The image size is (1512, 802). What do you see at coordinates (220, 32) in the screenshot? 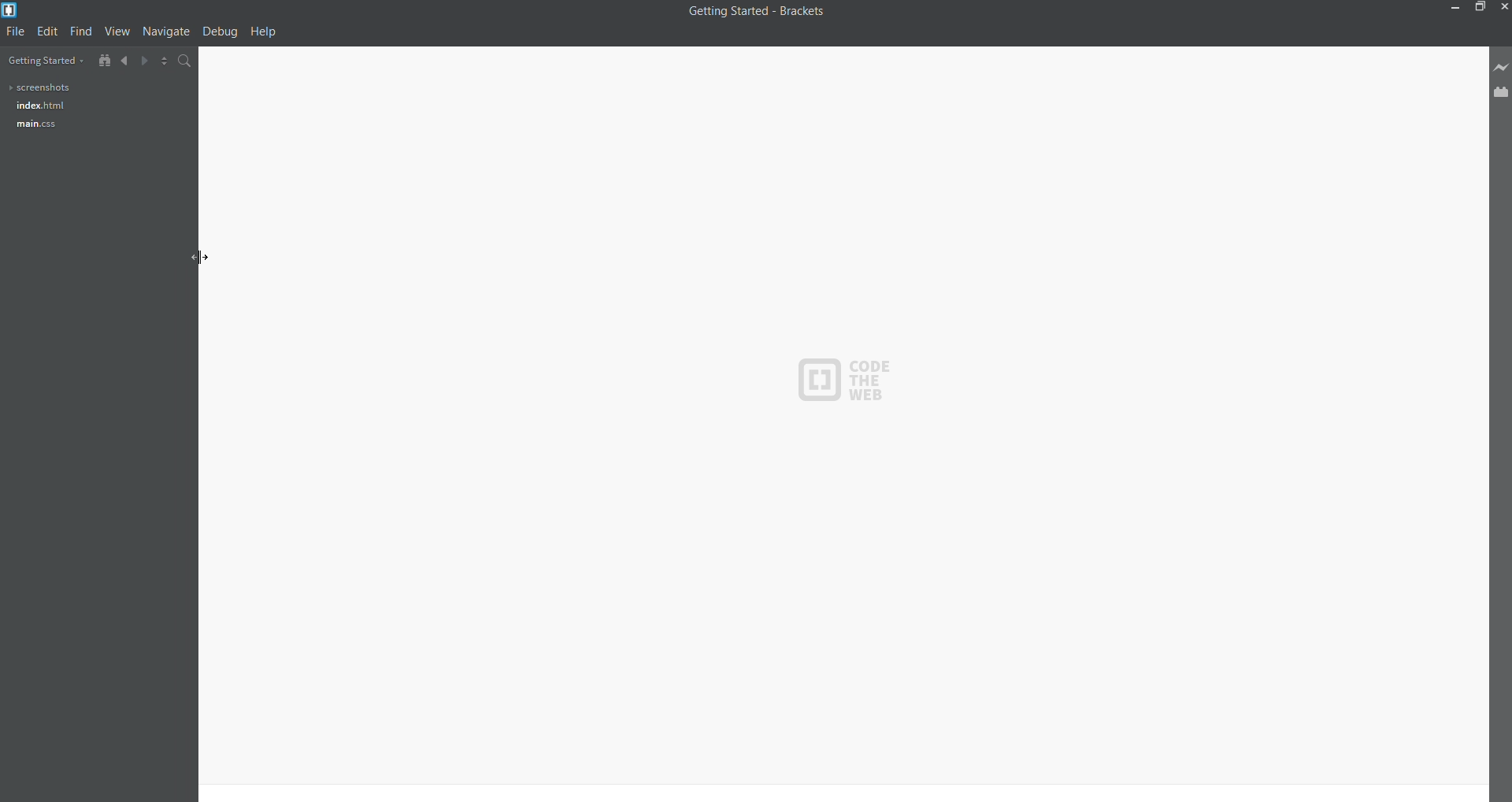
I see `debug` at bounding box center [220, 32].